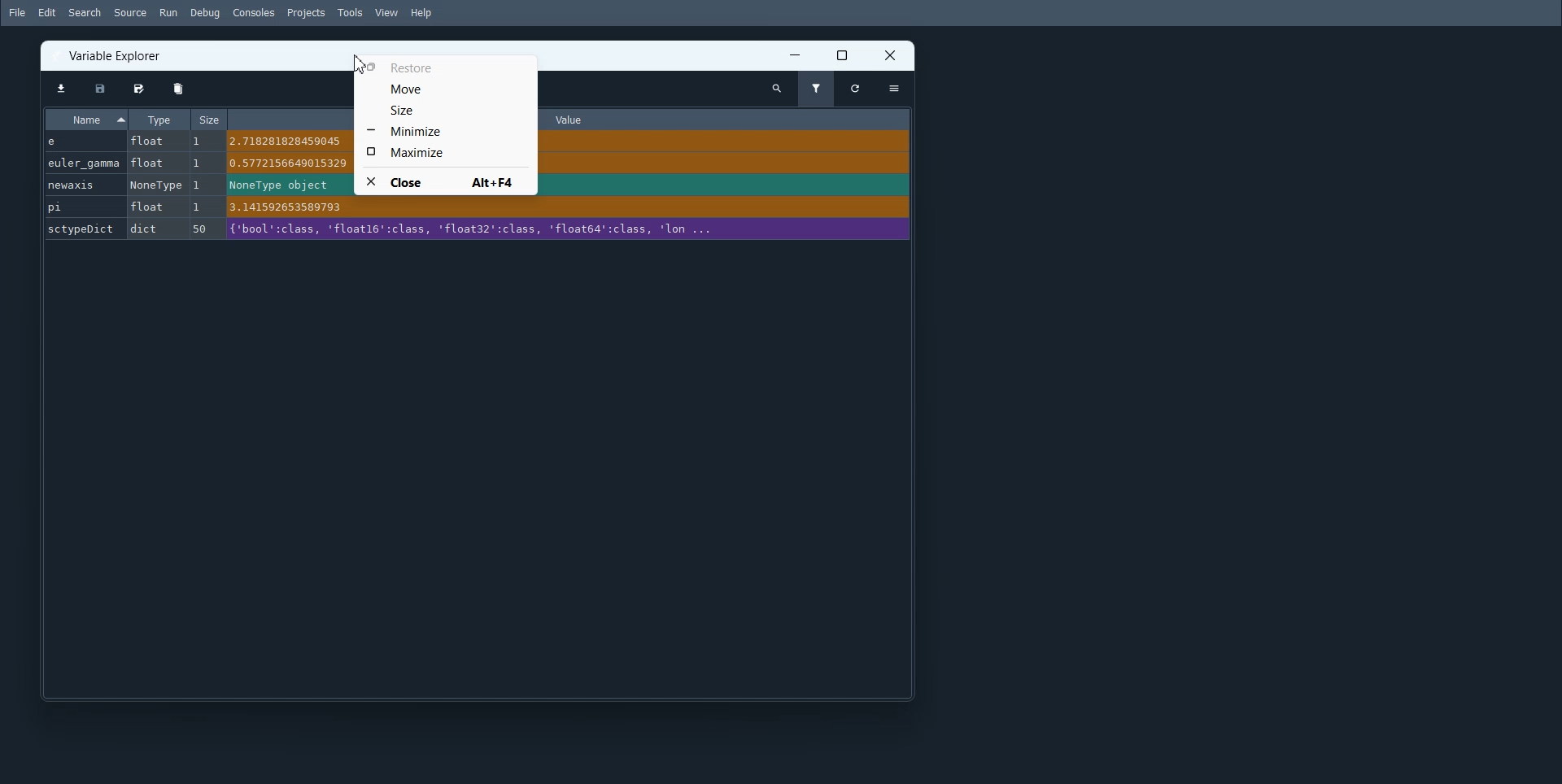 The image size is (1562, 784). Describe the element at coordinates (85, 119) in the screenshot. I see `Name` at that location.